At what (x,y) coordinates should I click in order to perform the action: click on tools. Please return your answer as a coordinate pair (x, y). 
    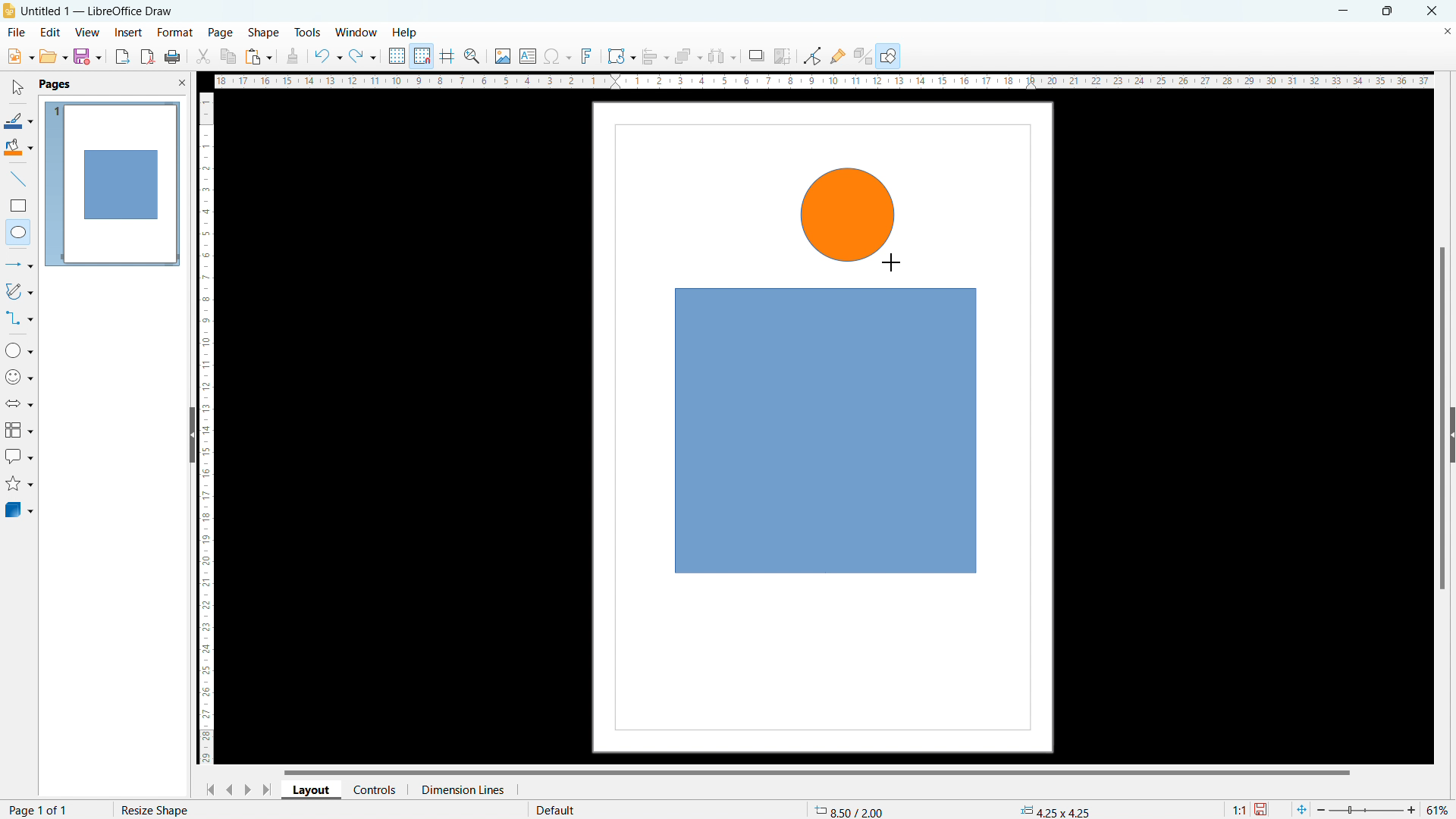
    Looking at the image, I should click on (309, 32).